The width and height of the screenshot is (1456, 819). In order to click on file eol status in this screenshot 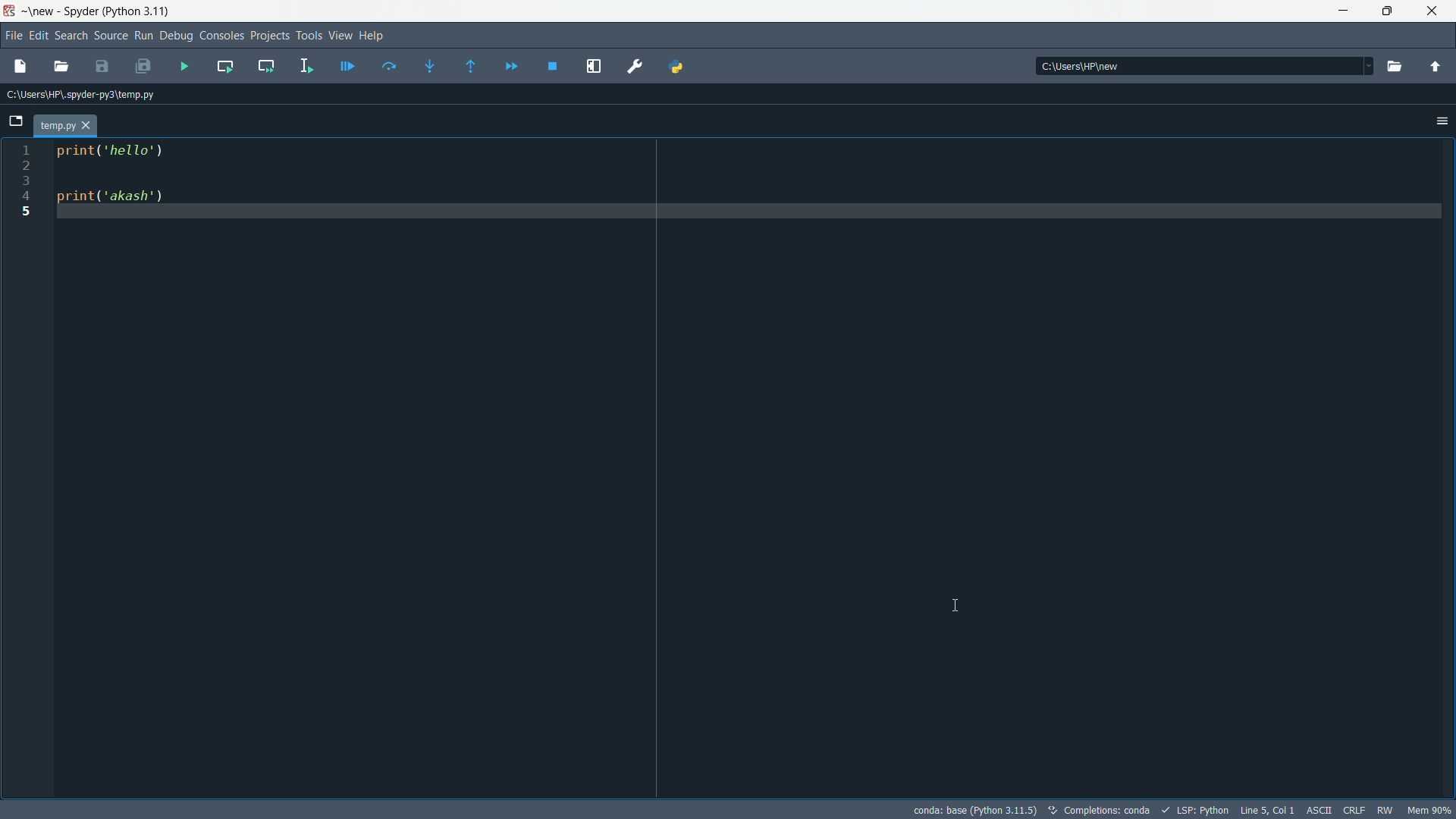, I will do `click(1354, 811)`.